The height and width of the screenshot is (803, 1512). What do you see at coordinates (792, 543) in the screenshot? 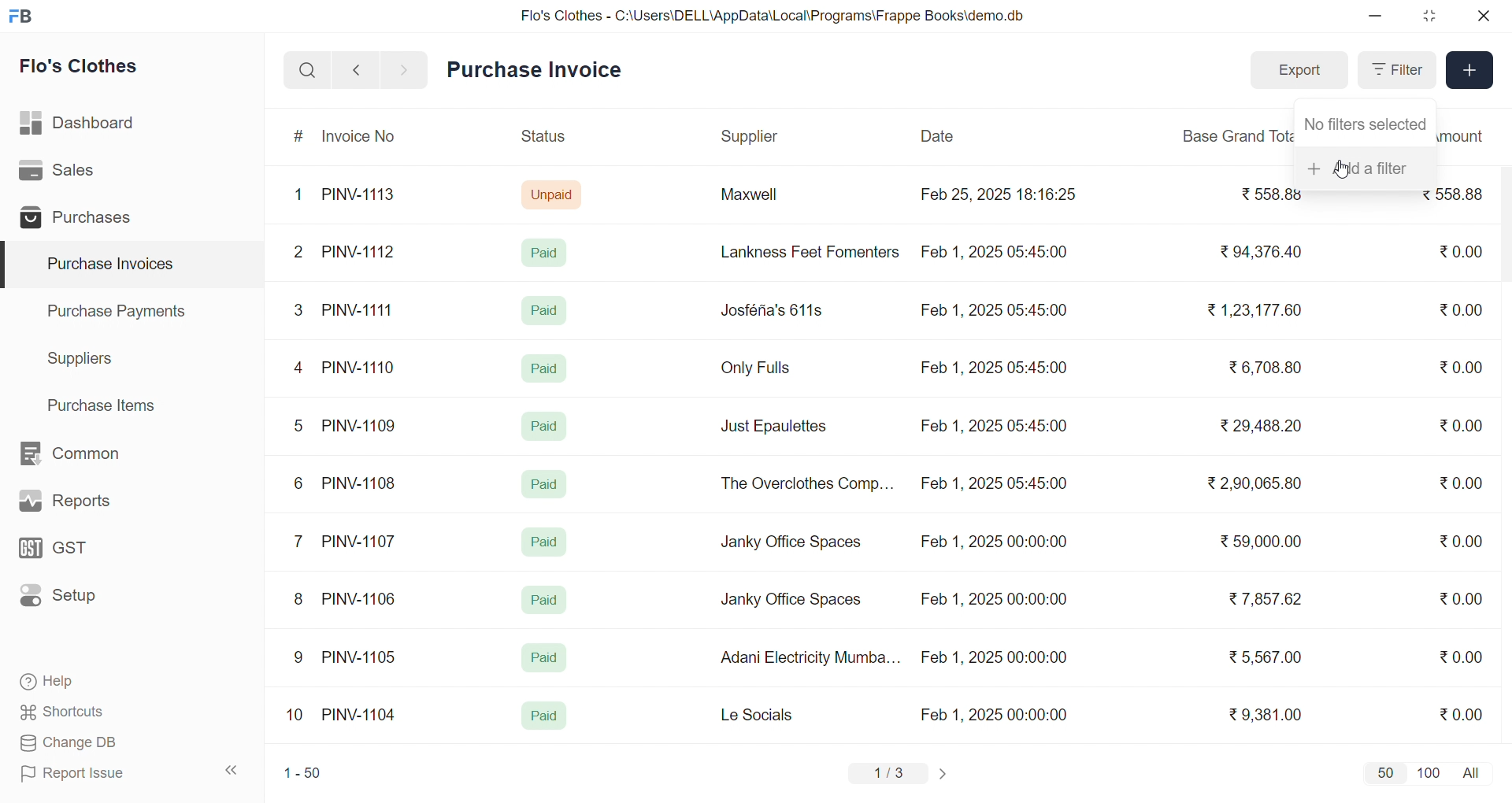
I see `Janky Office Spaces` at bounding box center [792, 543].